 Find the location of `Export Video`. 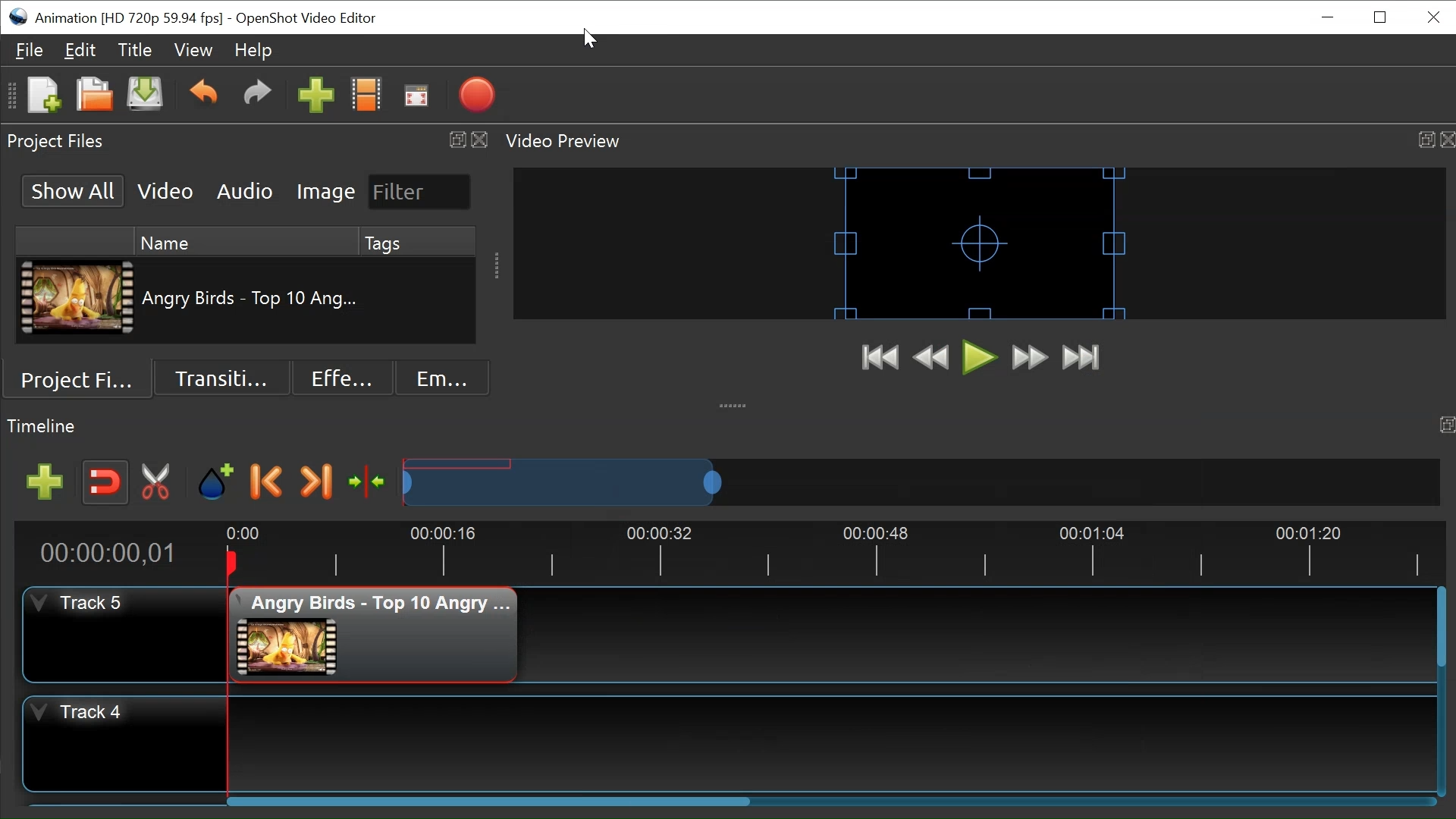

Export Video is located at coordinates (476, 98).